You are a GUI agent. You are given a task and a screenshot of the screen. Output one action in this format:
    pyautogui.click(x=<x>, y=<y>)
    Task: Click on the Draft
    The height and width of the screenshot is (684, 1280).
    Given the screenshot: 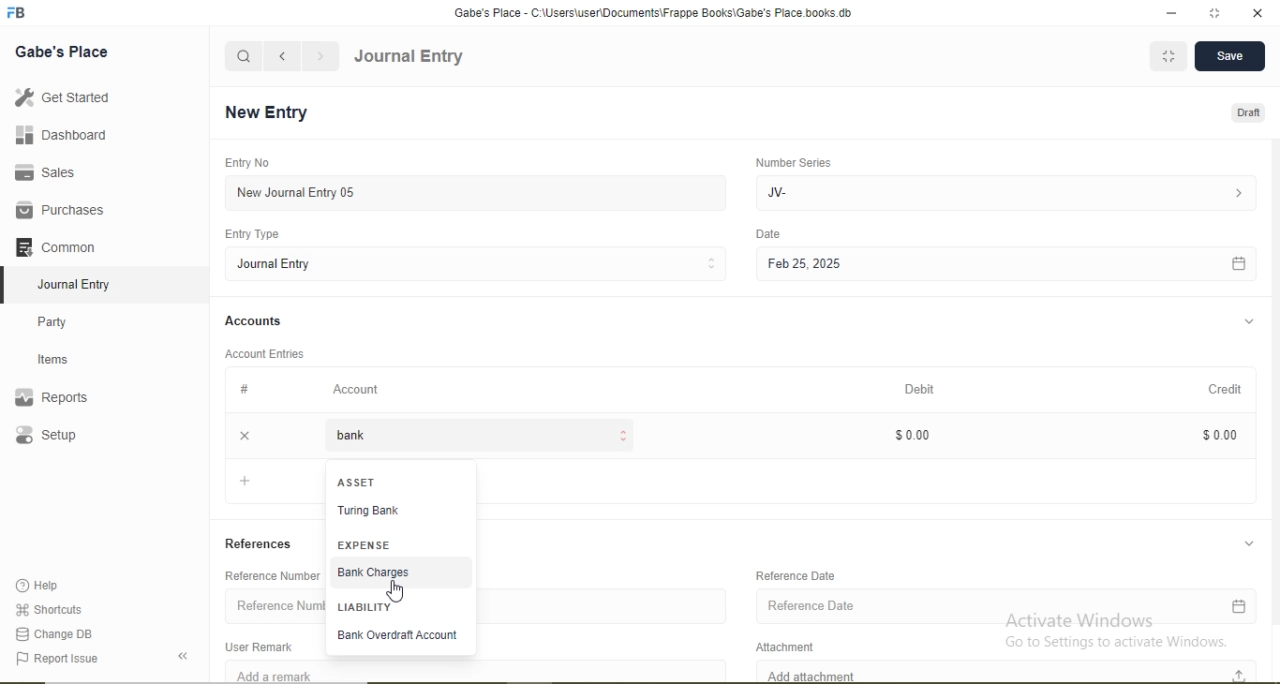 What is the action you would take?
    pyautogui.click(x=1246, y=112)
    